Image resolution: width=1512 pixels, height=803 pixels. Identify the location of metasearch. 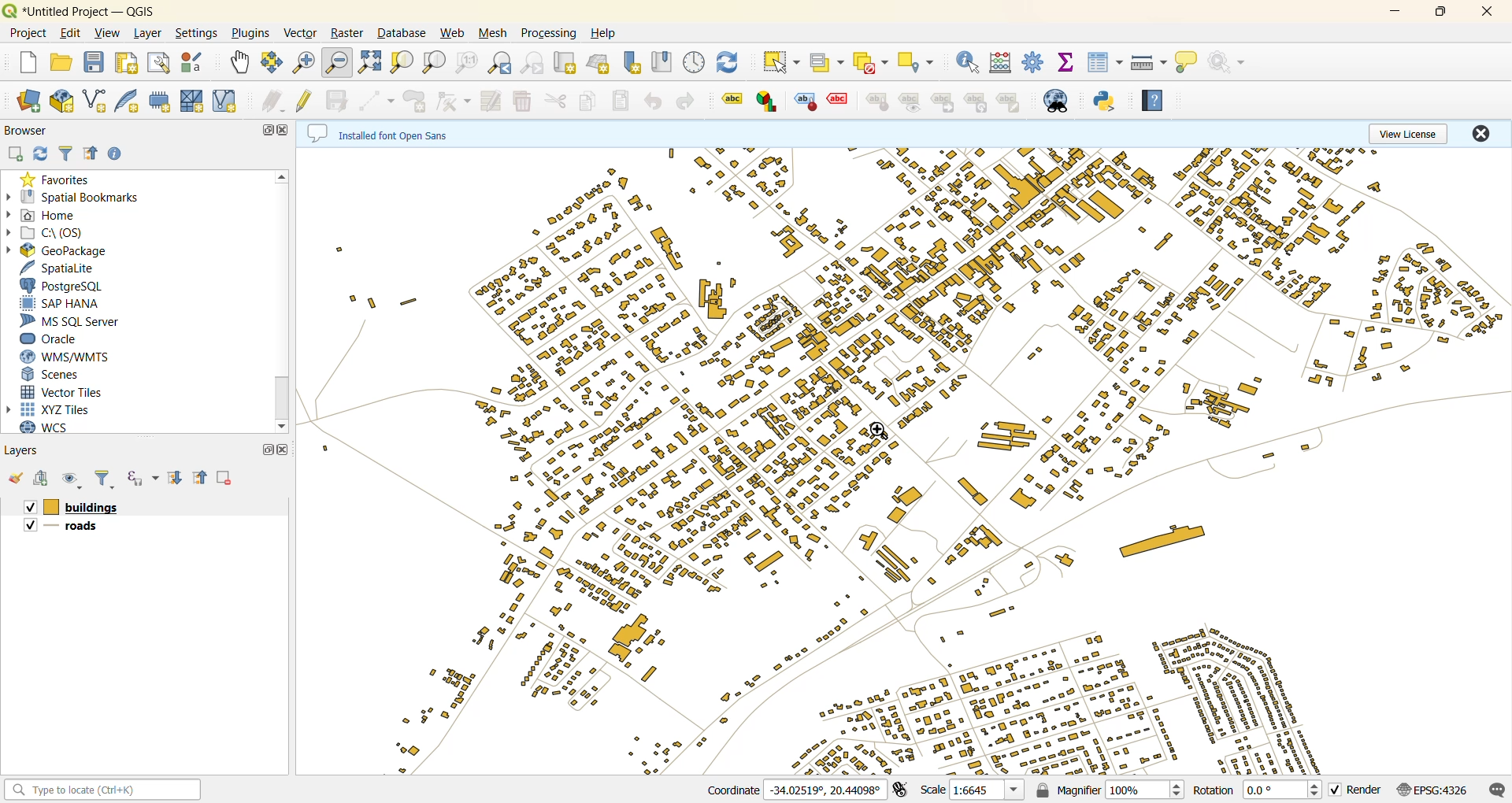
(1062, 100).